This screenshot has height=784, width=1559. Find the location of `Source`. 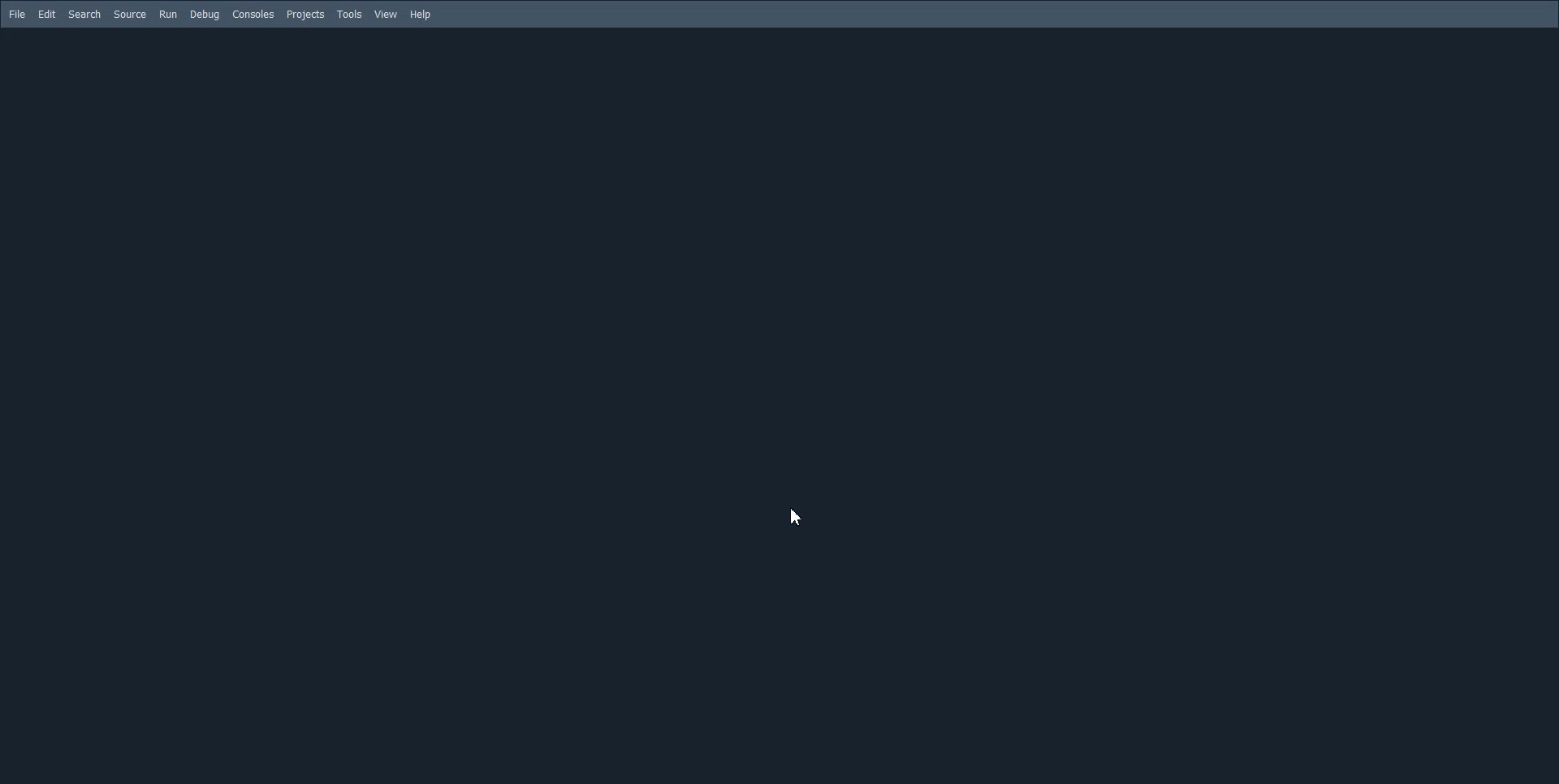

Source is located at coordinates (130, 14).